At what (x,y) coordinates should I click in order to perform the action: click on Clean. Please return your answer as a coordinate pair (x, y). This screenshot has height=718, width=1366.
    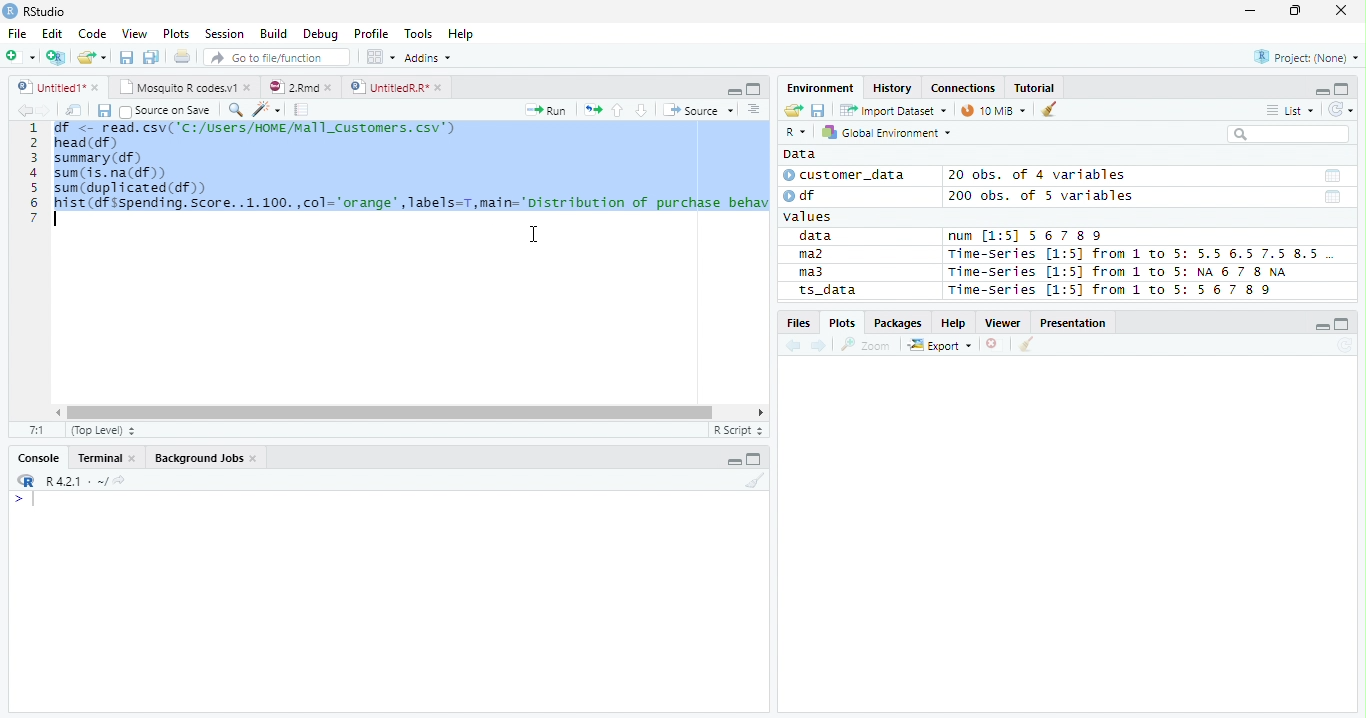
    Looking at the image, I should click on (1027, 344).